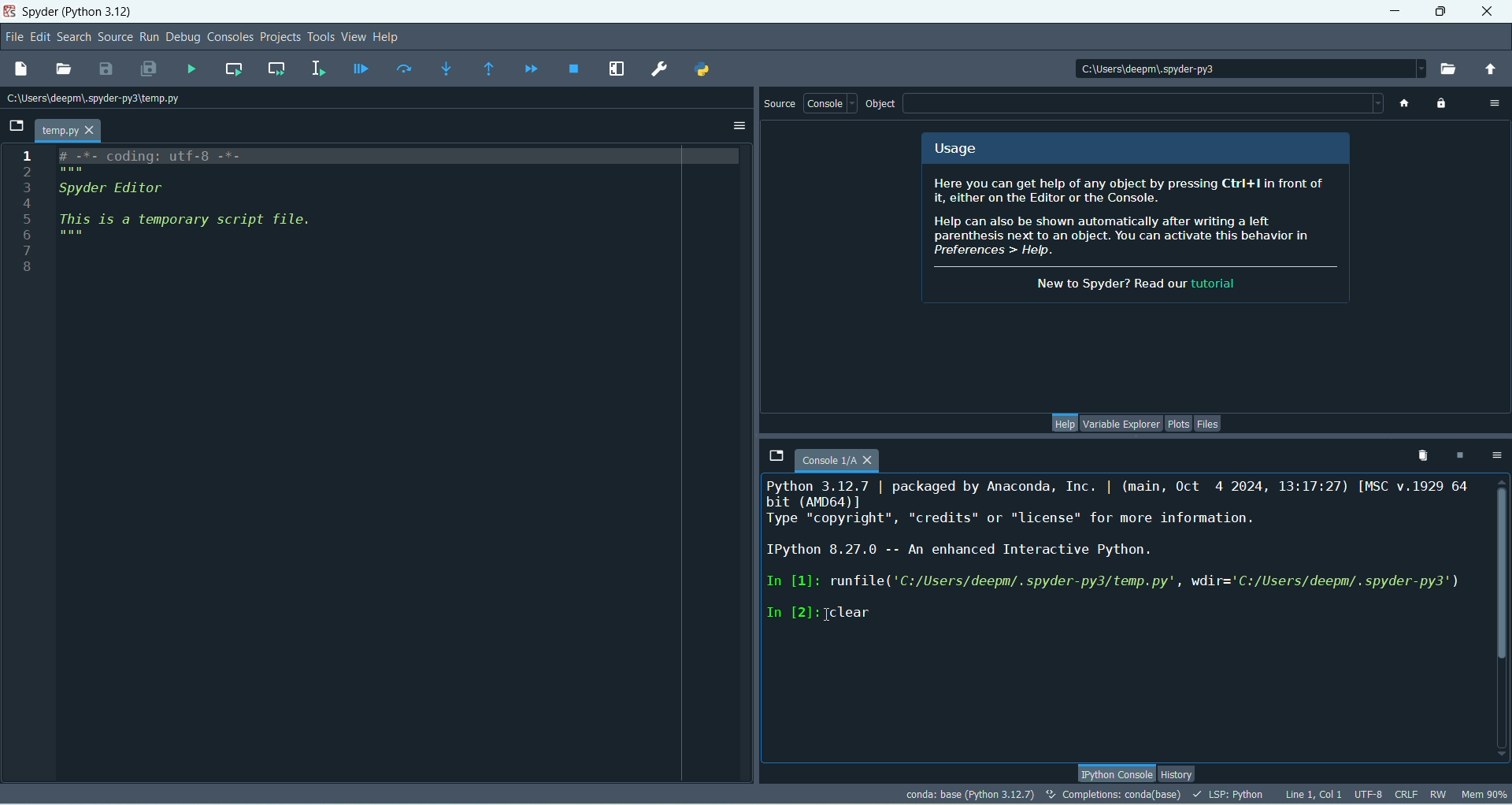 Image resolution: width=1512 pixels, height=805 pixels. What do you see at coordinates (98, 98) in the screenshot?
I see `location` at bounding box center [98, 98].